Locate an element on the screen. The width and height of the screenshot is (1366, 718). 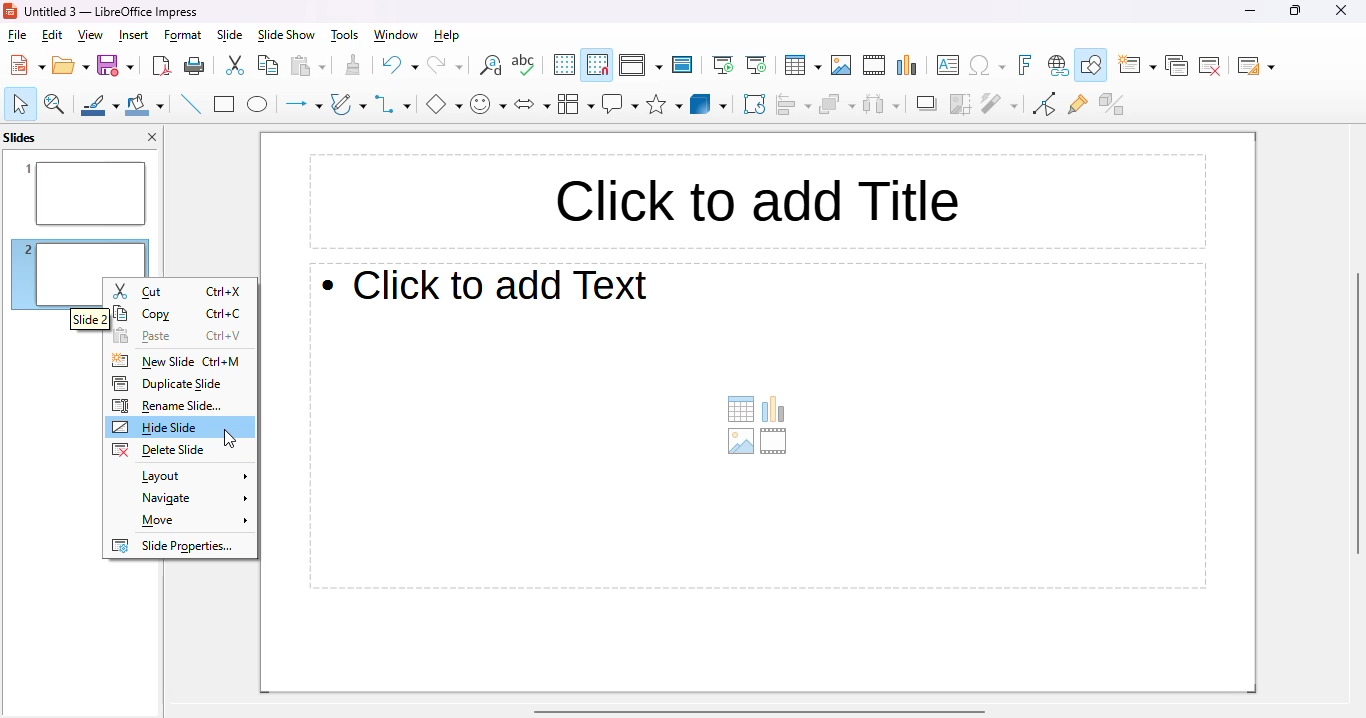
insert chart is located at coordinates (774, 408).